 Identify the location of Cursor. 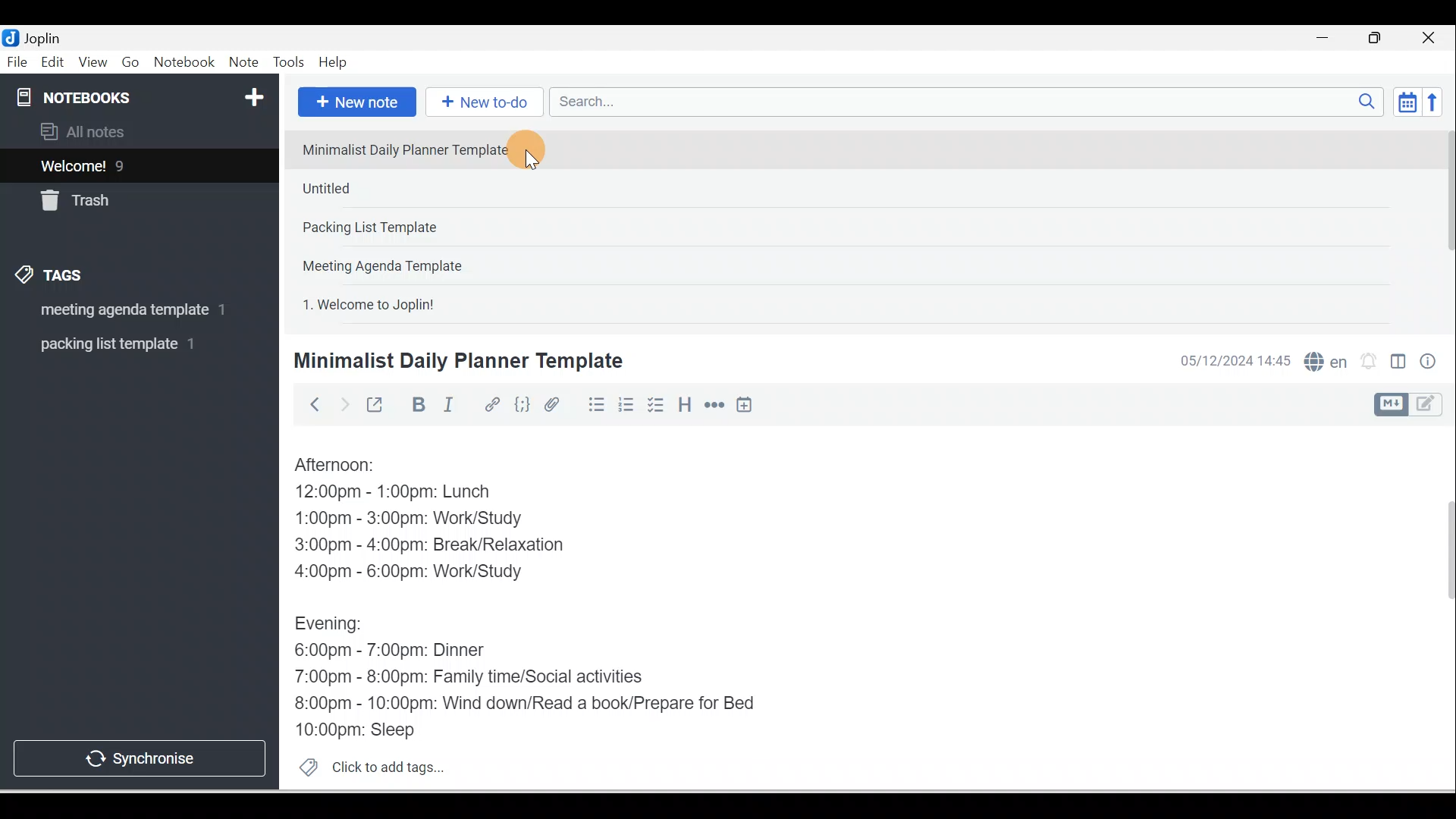
(530, 150).